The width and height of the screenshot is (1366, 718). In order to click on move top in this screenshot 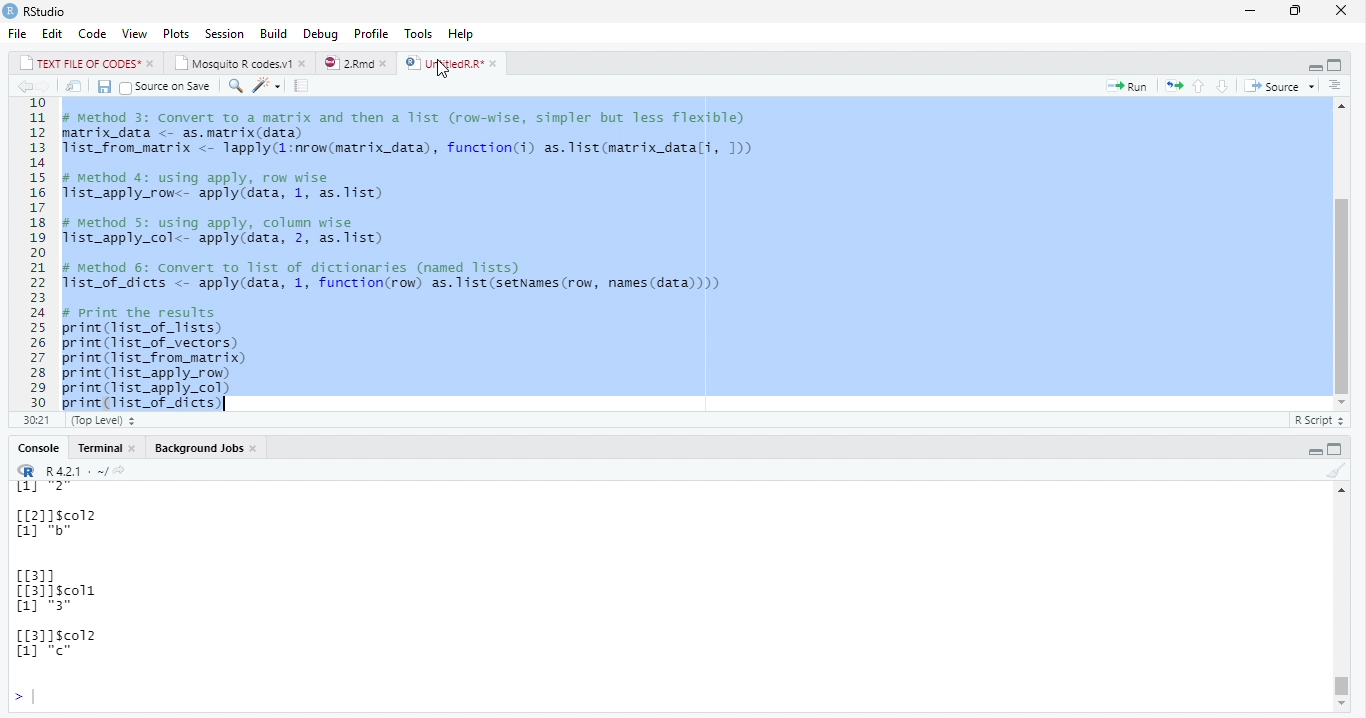, I will do `click(1342, 107)`.